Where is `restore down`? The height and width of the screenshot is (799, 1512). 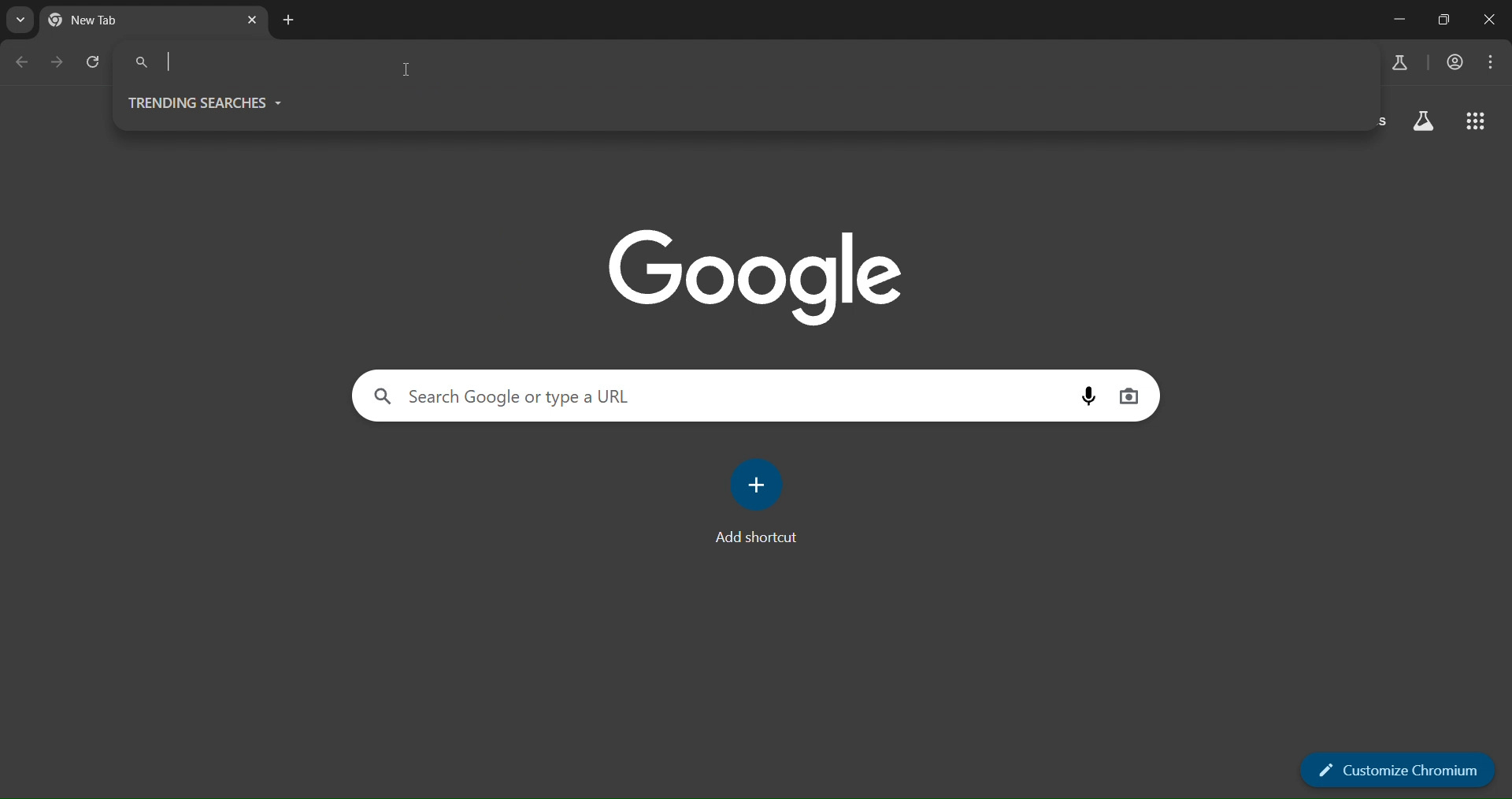 restore down is located at coordinates (1440, 20).